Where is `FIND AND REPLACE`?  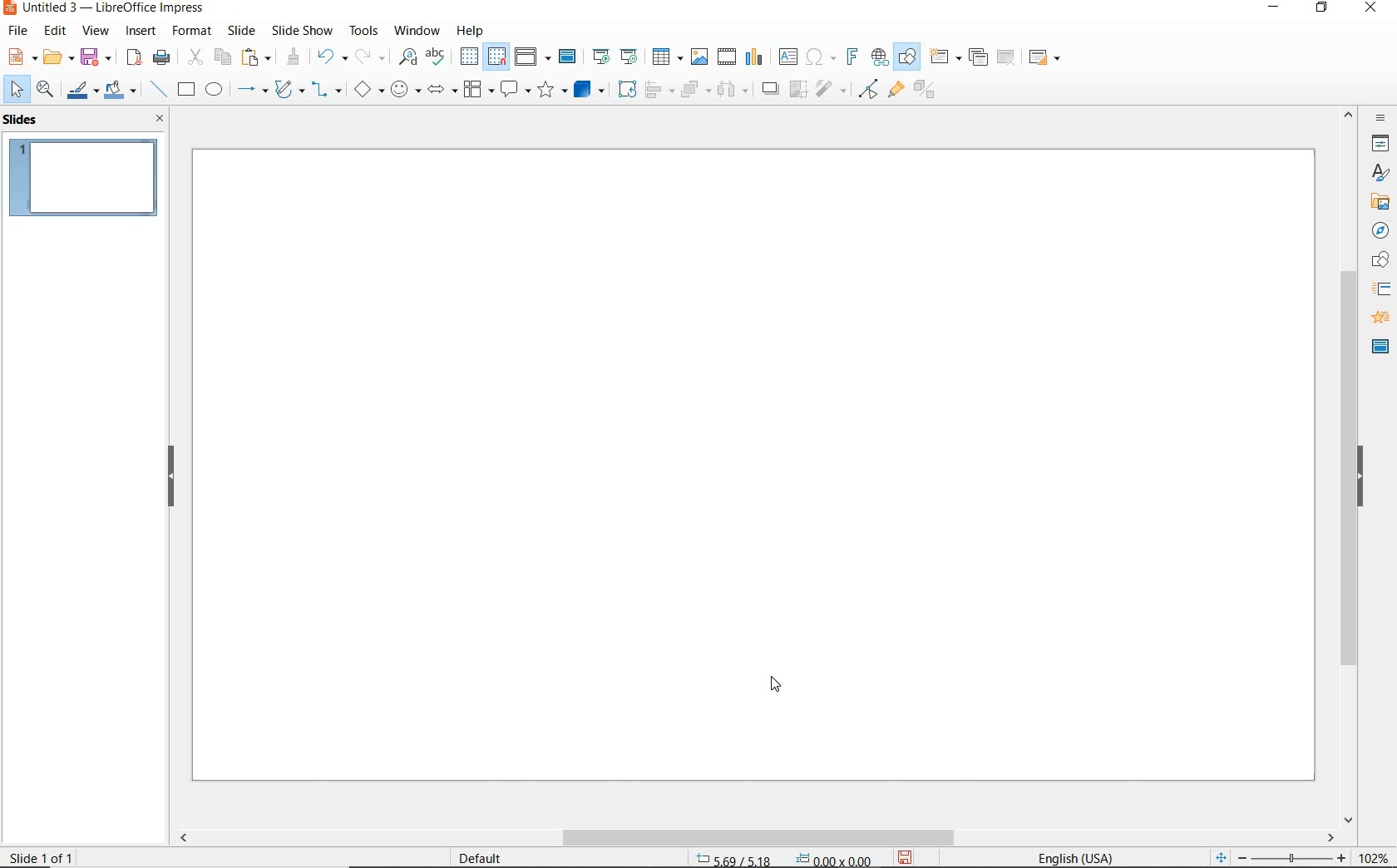
FIND AND REPLACE is located at coordinates (407, 58).